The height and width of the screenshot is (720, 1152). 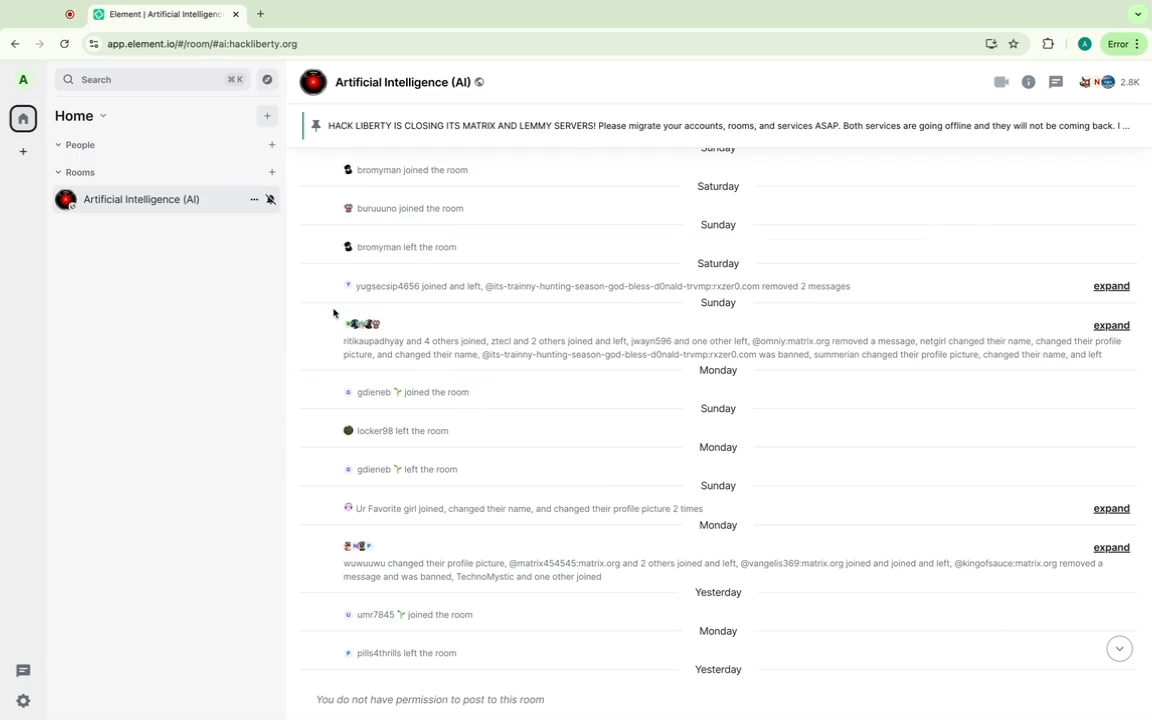 What do you see at coordinates (82, 173) in the screenshot?
I see `Rooms` at bounding box center [82, 173].